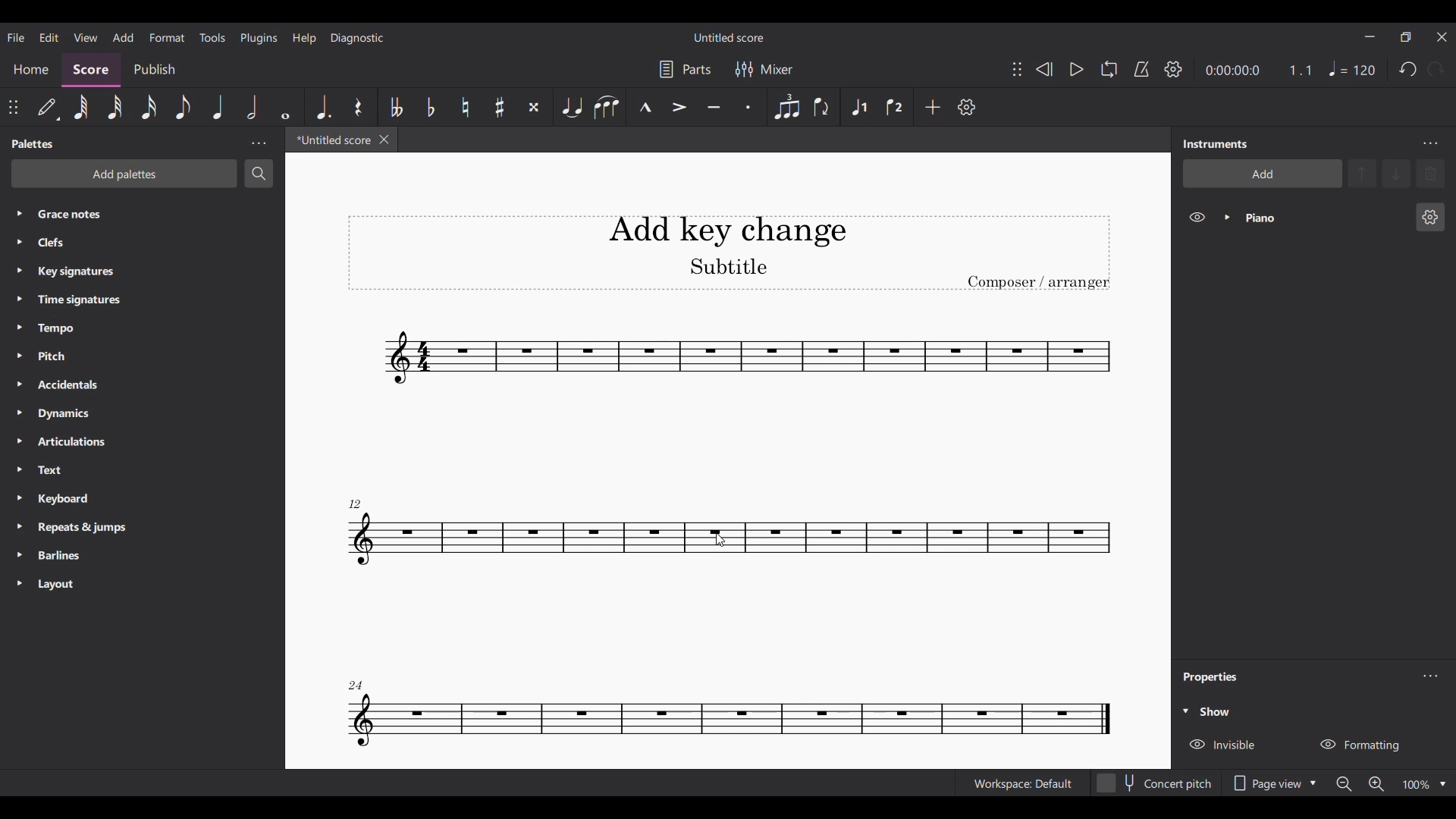 The width and height of the screenshot is (1456, 819). I want to click on Rewind, so click(1043, 70).